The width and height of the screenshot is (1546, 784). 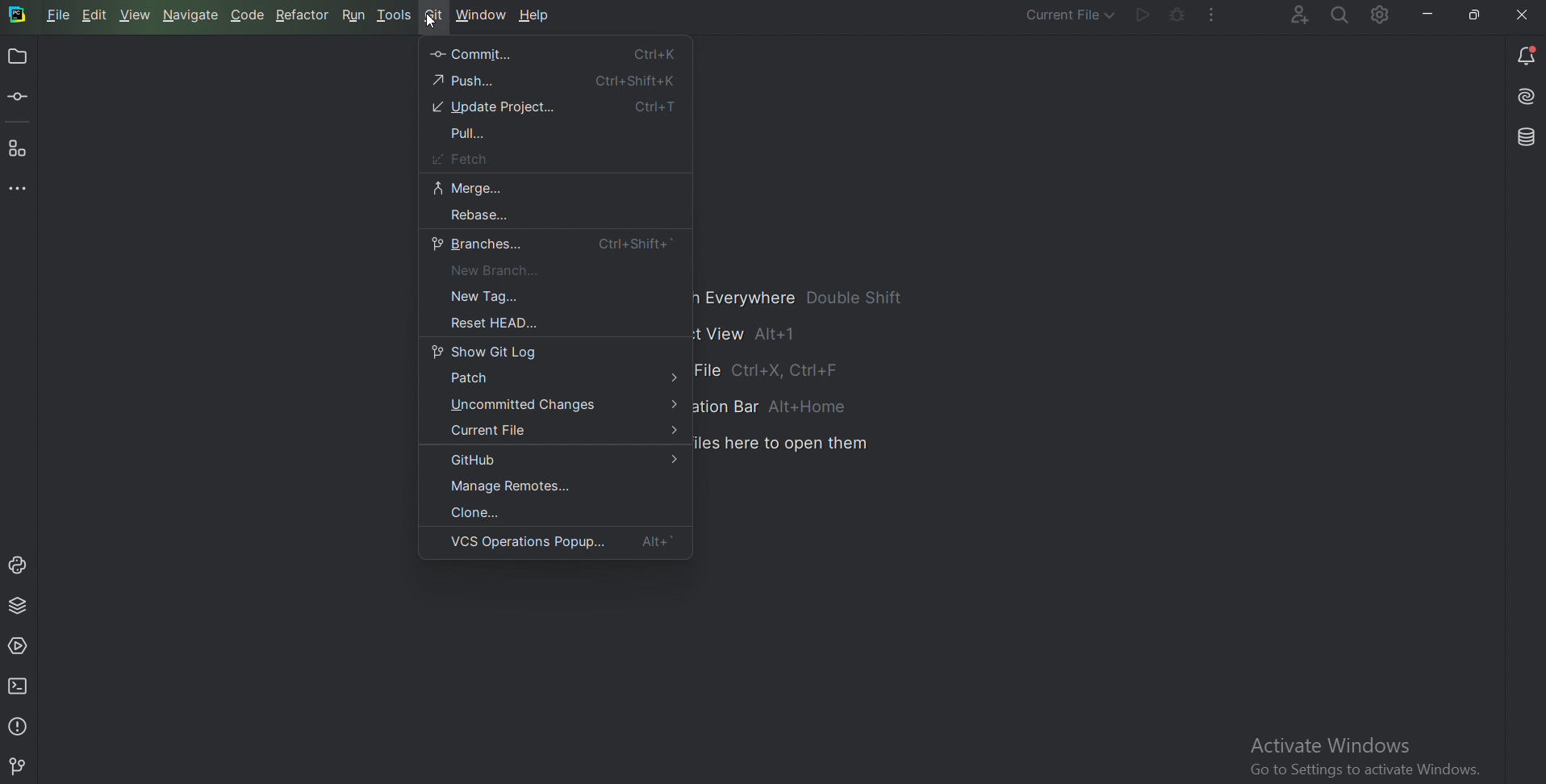 What do you see at coordinates (21, 565) in the screenshot?
I see `Python console` at bounding box center [21, 565].